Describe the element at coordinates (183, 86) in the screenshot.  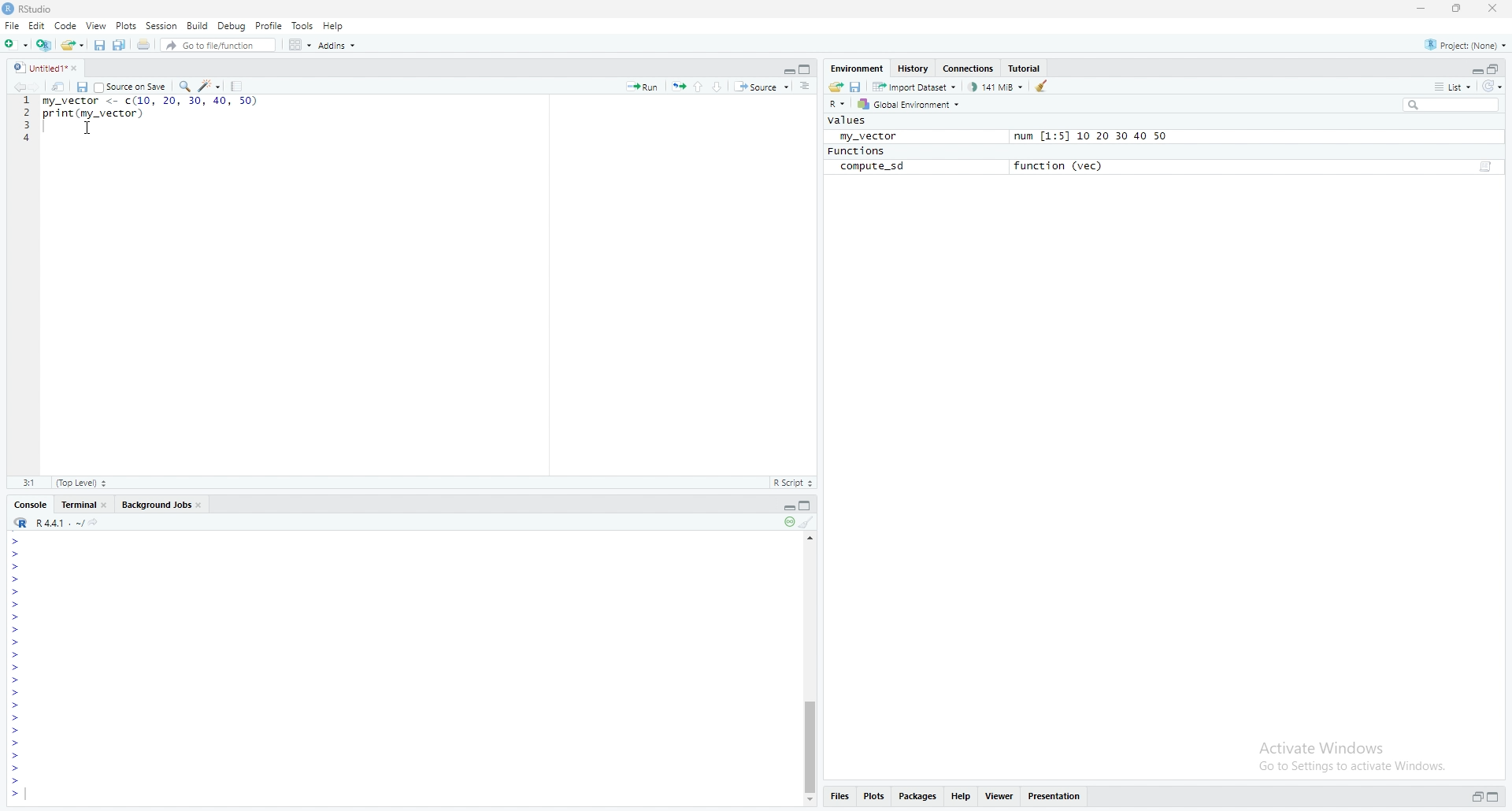
I see `Find and replace` at that location.